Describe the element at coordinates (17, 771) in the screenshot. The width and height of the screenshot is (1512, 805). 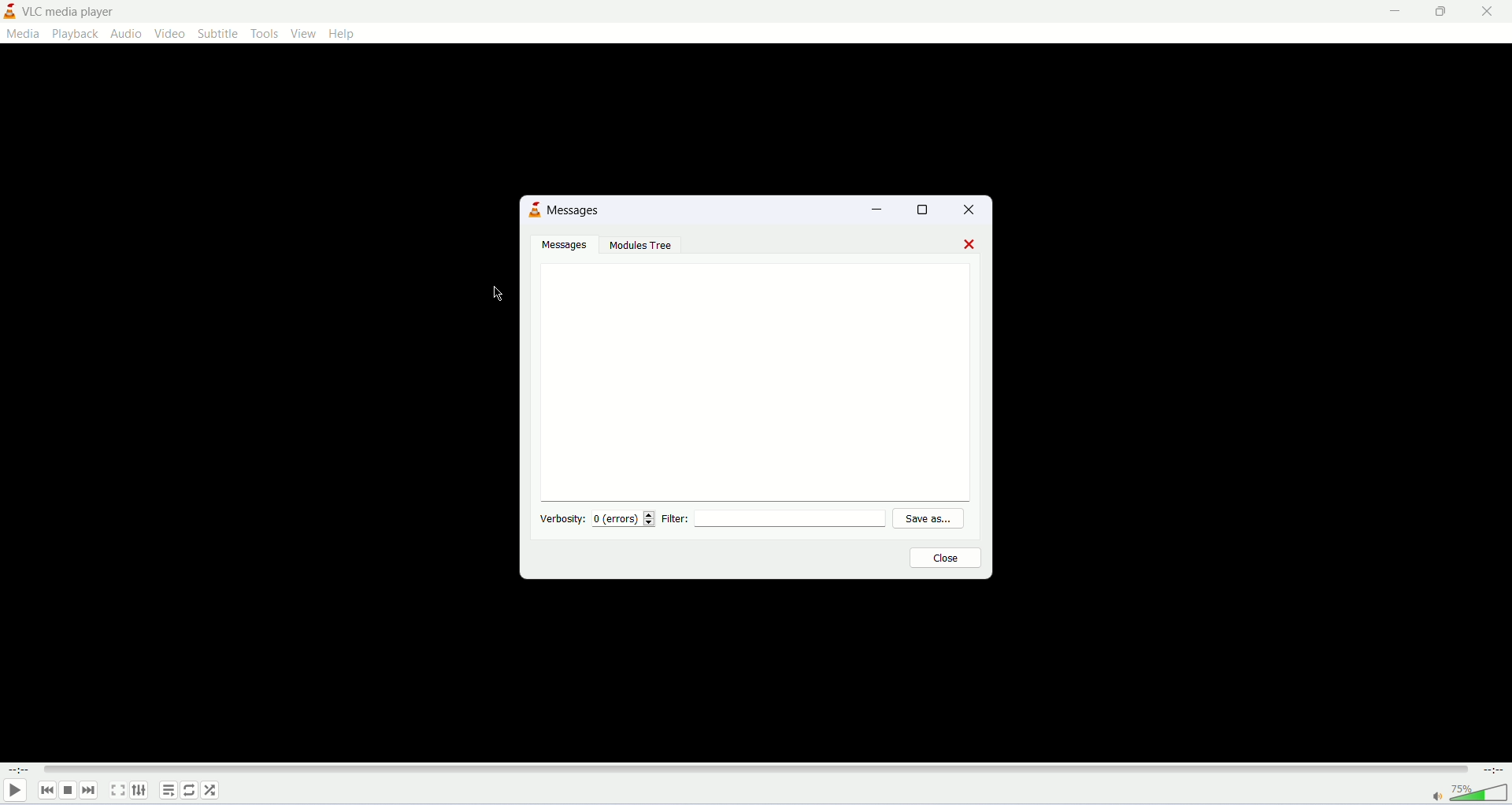
I see `played time` at that location.